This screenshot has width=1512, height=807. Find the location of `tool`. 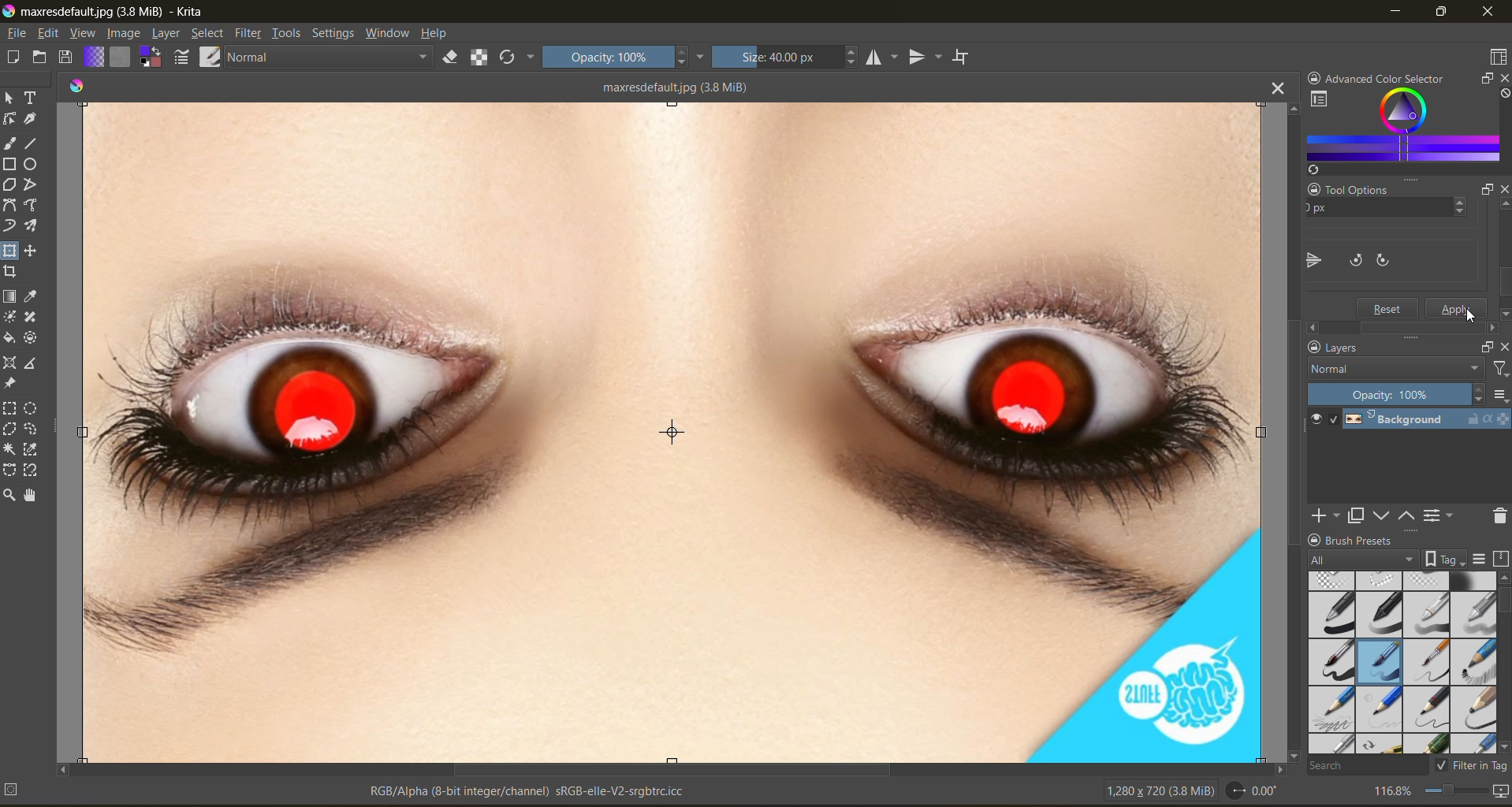

tool is located at coordinates (35, 143).